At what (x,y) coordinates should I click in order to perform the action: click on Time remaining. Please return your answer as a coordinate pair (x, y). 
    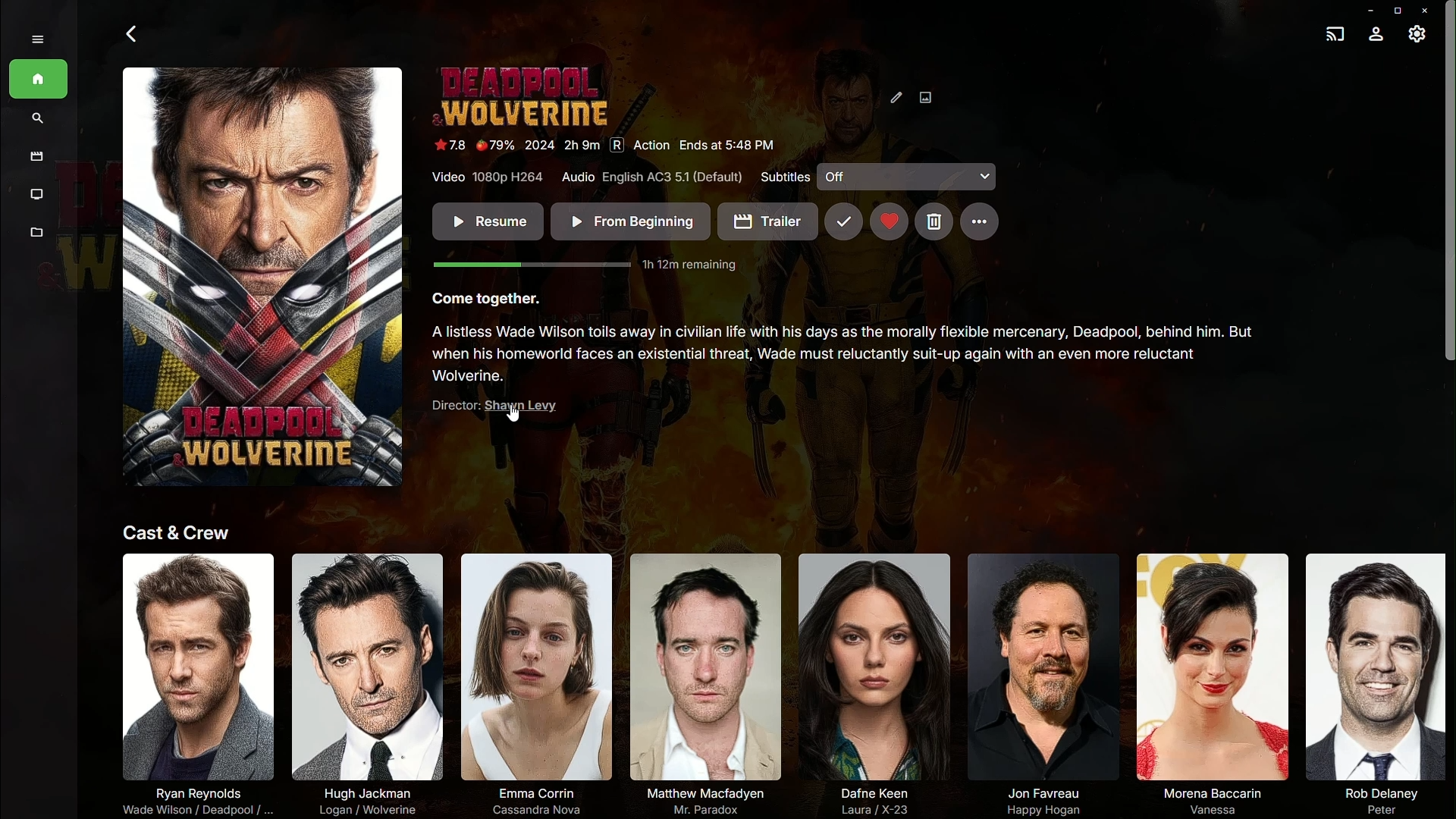
    Looking at the image, I should click on (591, 265).